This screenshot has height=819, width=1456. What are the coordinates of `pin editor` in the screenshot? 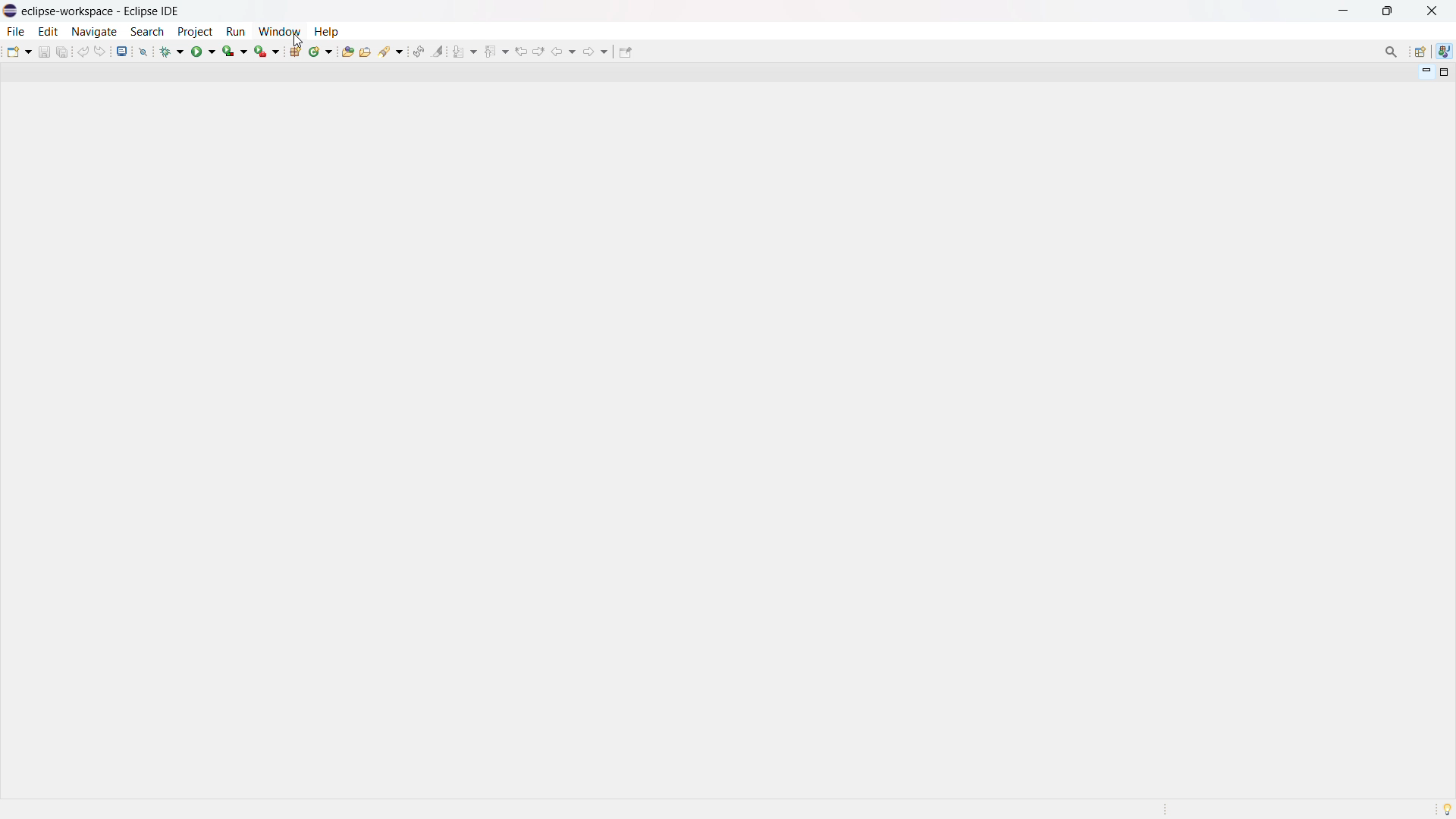 It's located at (625, 52).